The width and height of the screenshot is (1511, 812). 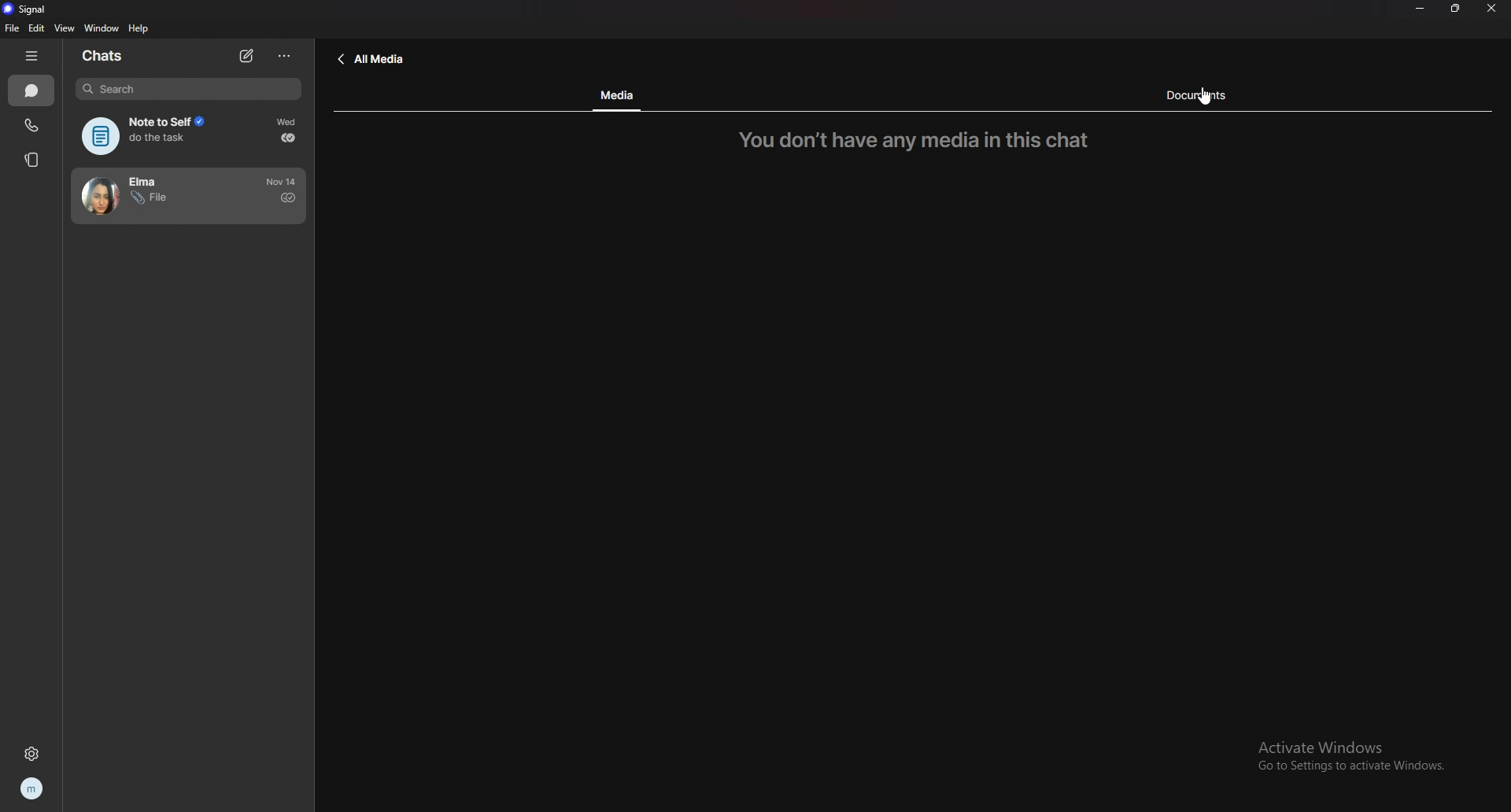 What do you see at coordinates (619, 96) in the screenshot?
I see `media` at bounding box center [619, 96].